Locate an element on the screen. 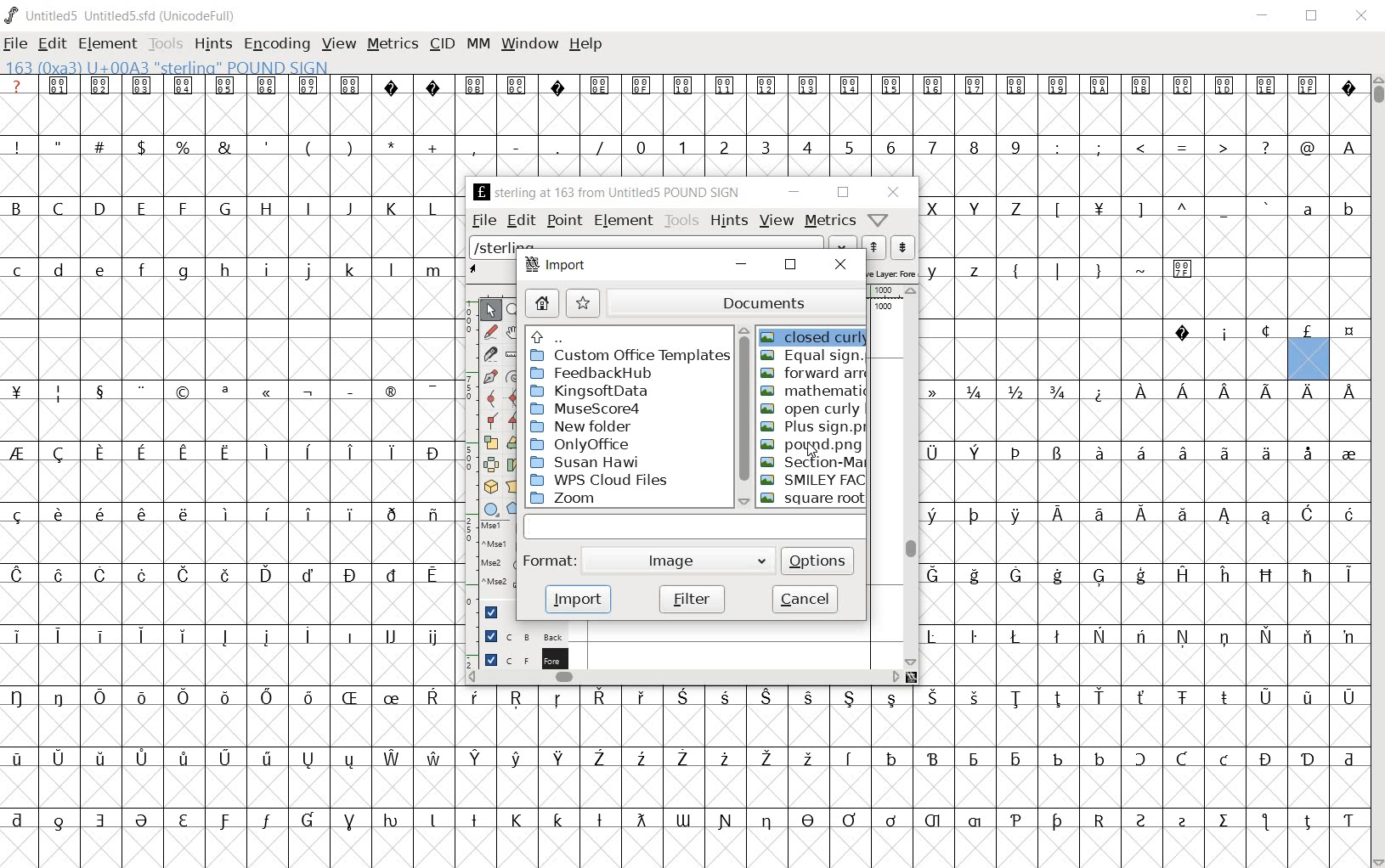 This screenshot has width=1385, height=868. + is located at coordinates (434, 148).